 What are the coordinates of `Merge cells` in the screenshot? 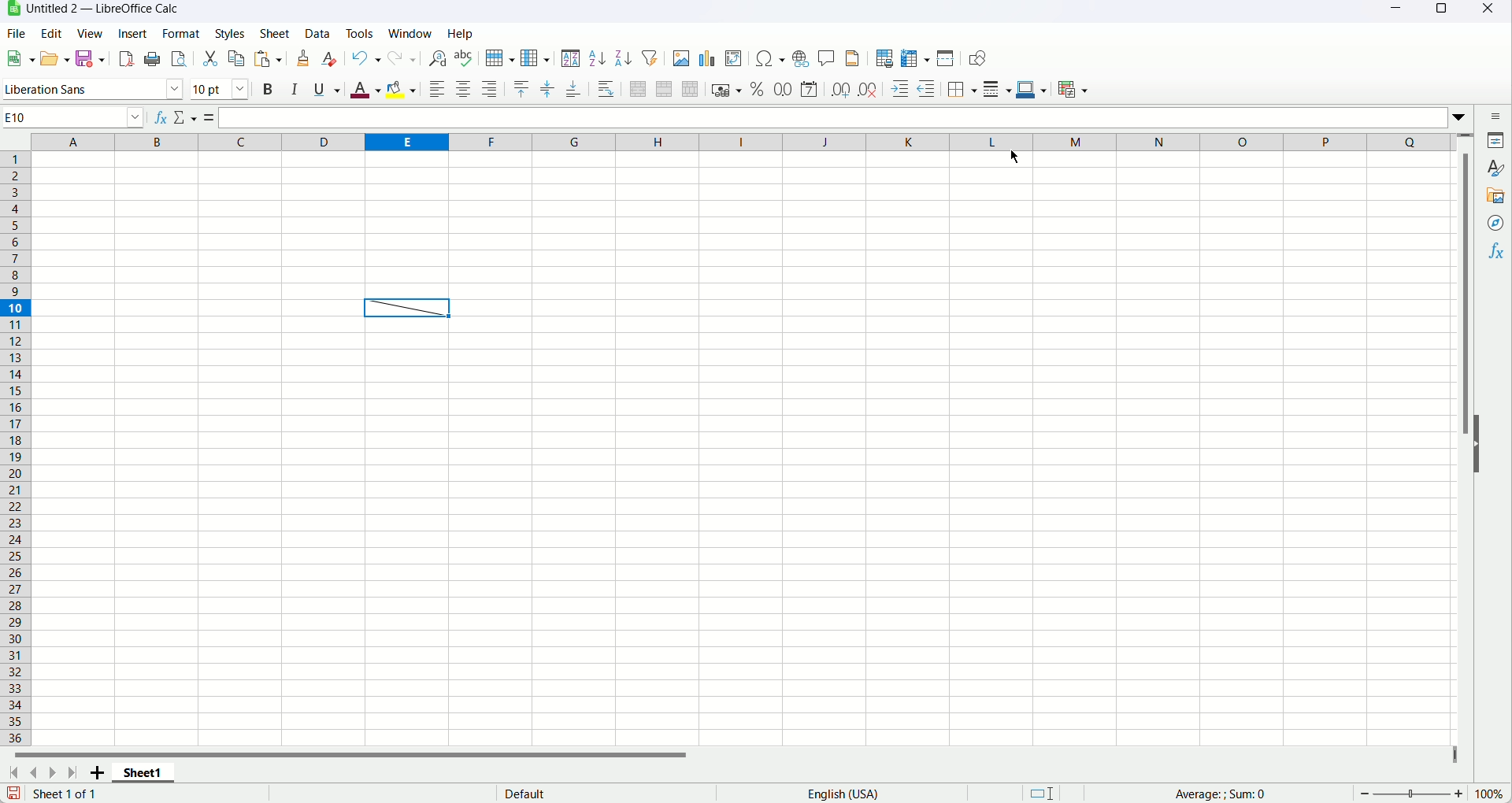 It's located at (665, 89).